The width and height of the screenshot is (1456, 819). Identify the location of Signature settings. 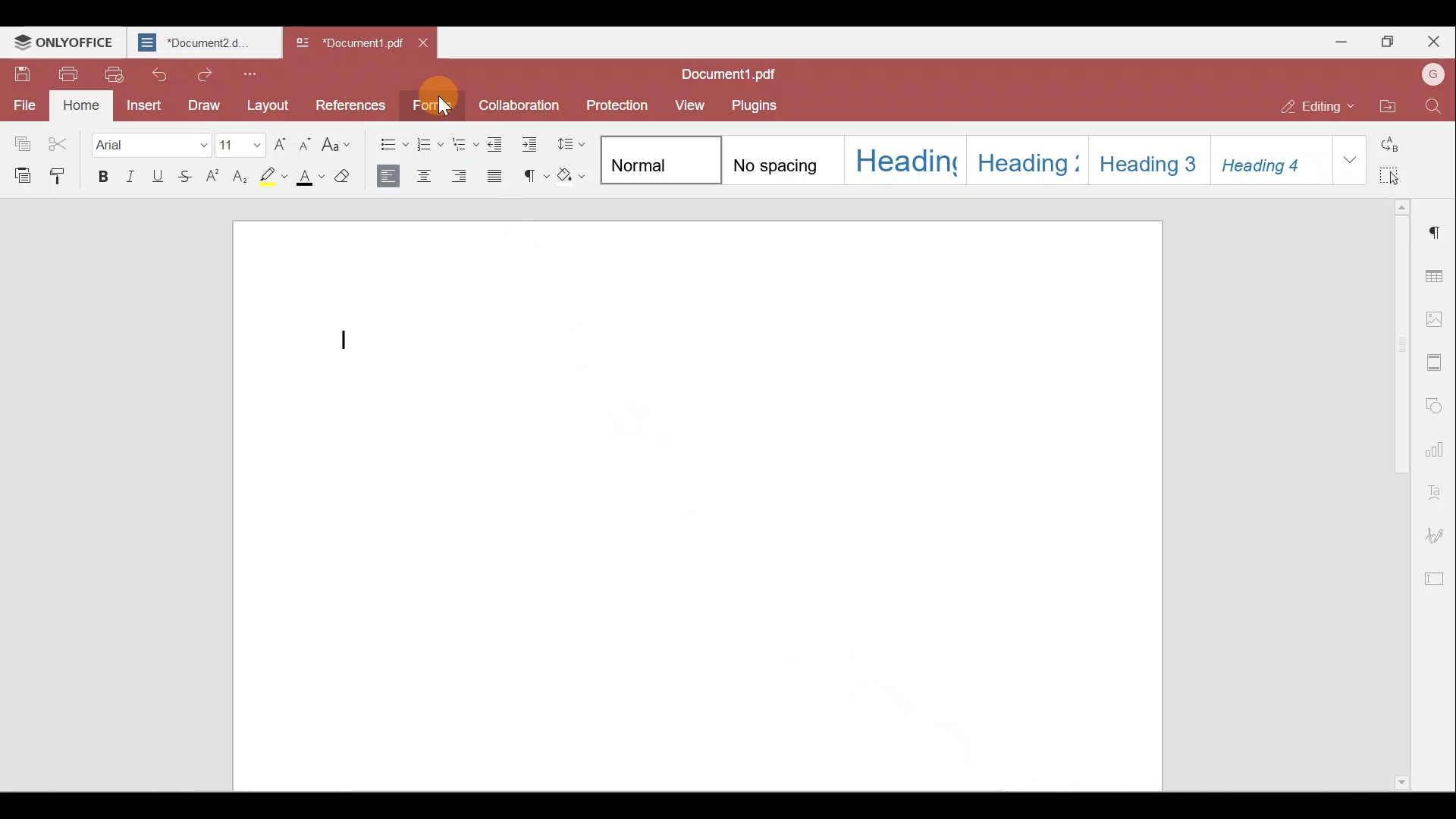
(1439, 532).